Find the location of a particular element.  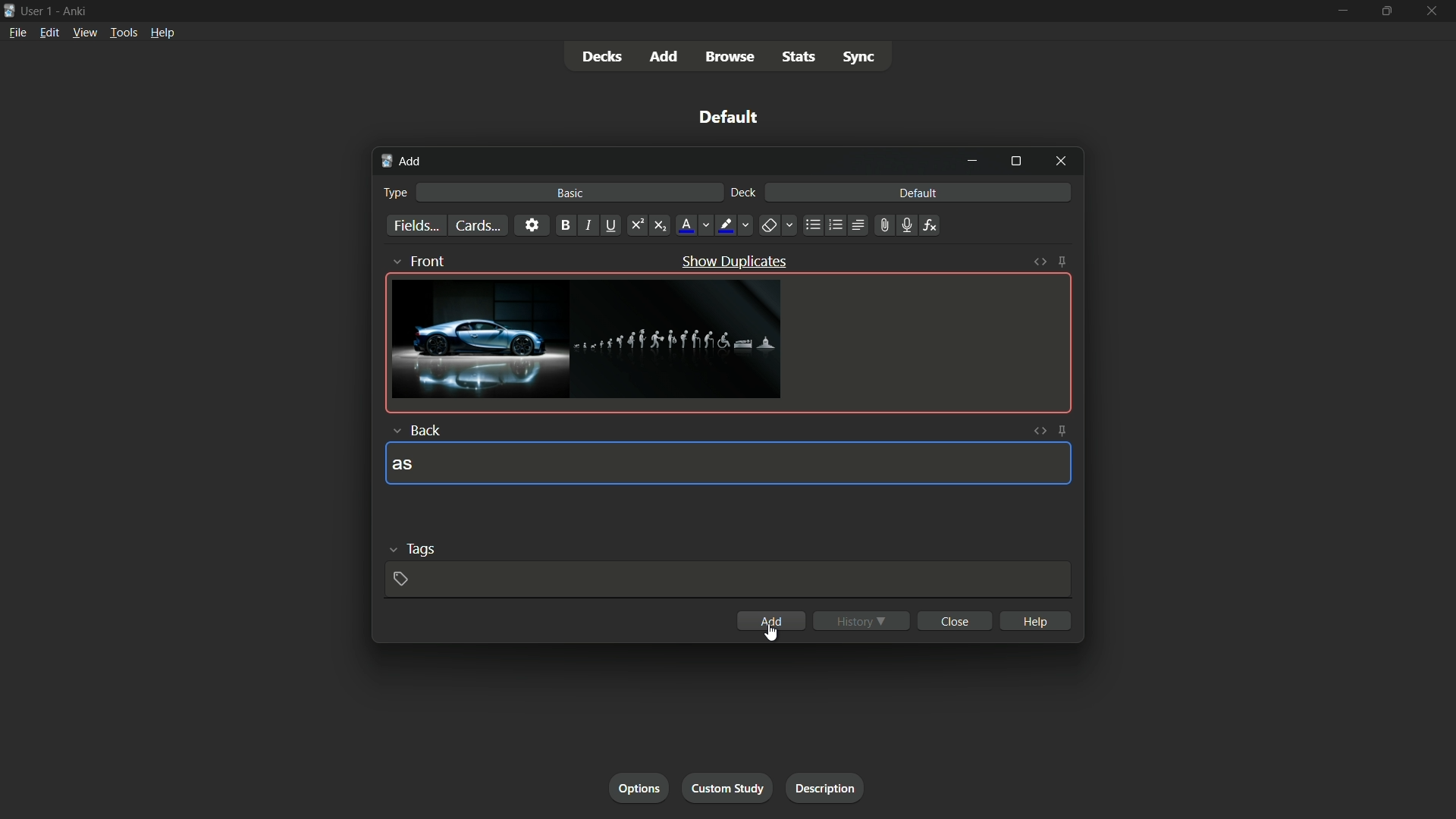

help is located at coordinates (1035, 620).